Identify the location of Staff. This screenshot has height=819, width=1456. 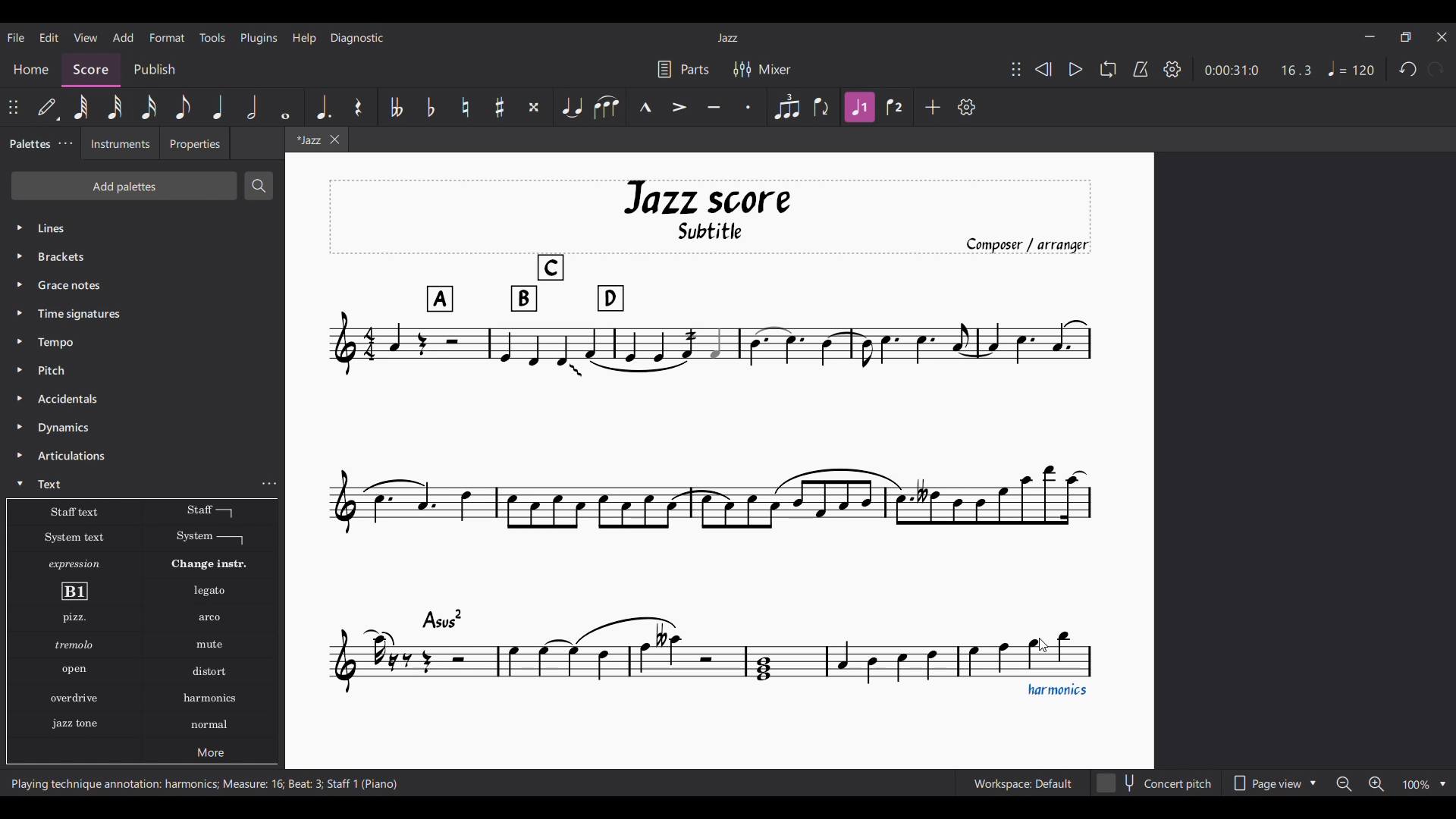
(209, 511).